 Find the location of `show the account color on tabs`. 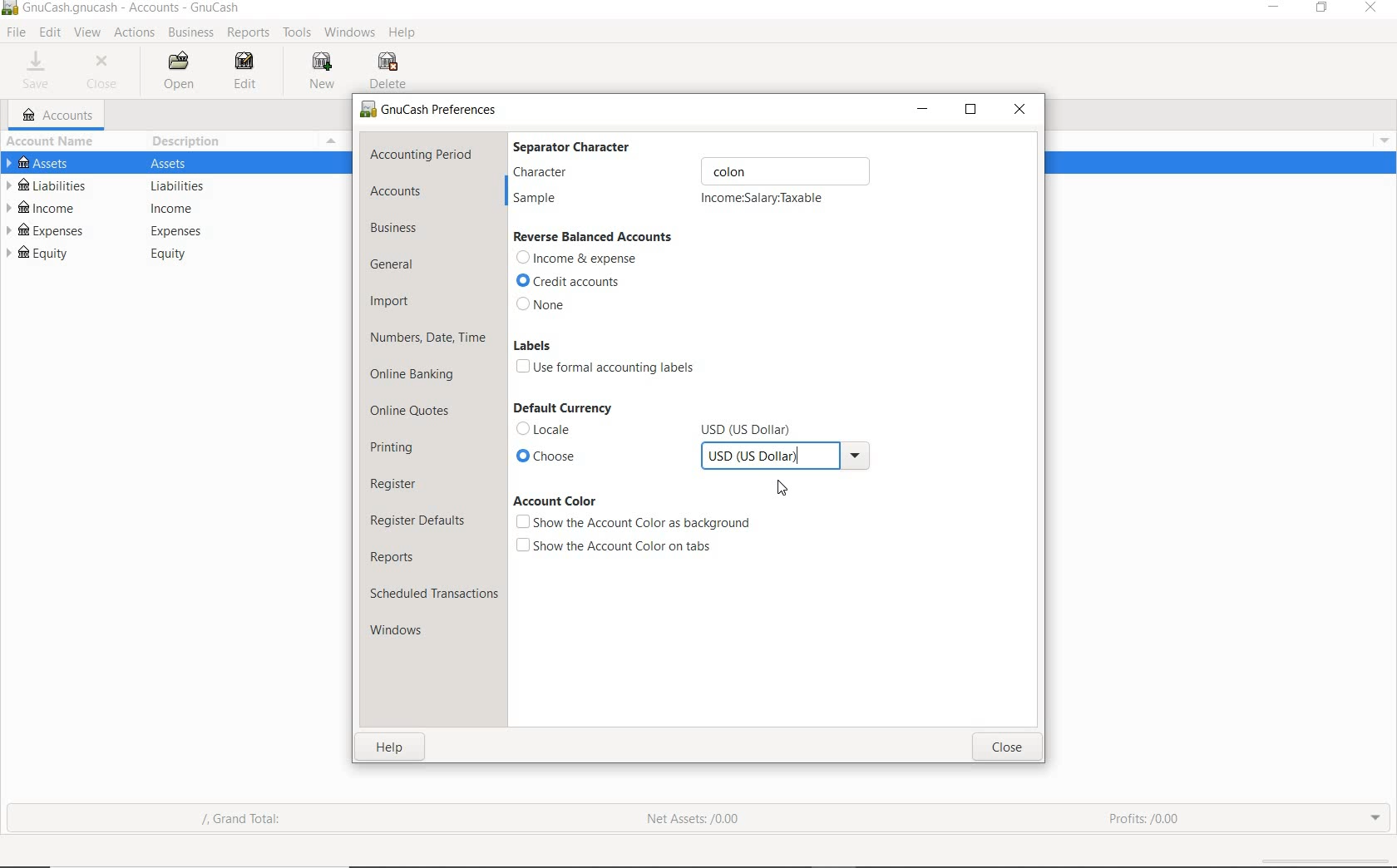

show the account color on tabs is located at coordinates (616, 545).